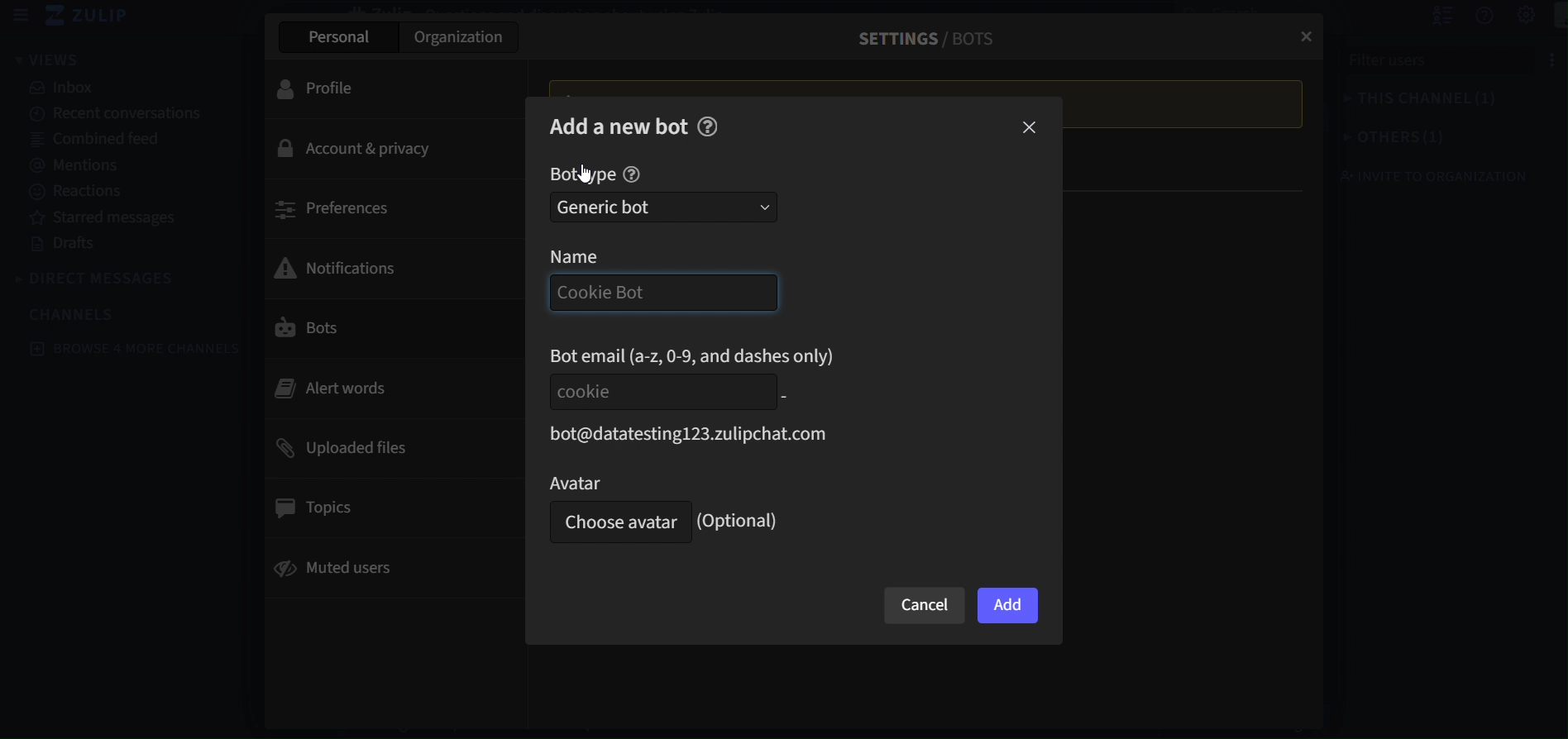 Image resolution: width=1568 pixels, height=739 pixels. What do you see at coordinates (582, 175) in the screenshot?
I see `bot type` at bounding box center [582, 175].